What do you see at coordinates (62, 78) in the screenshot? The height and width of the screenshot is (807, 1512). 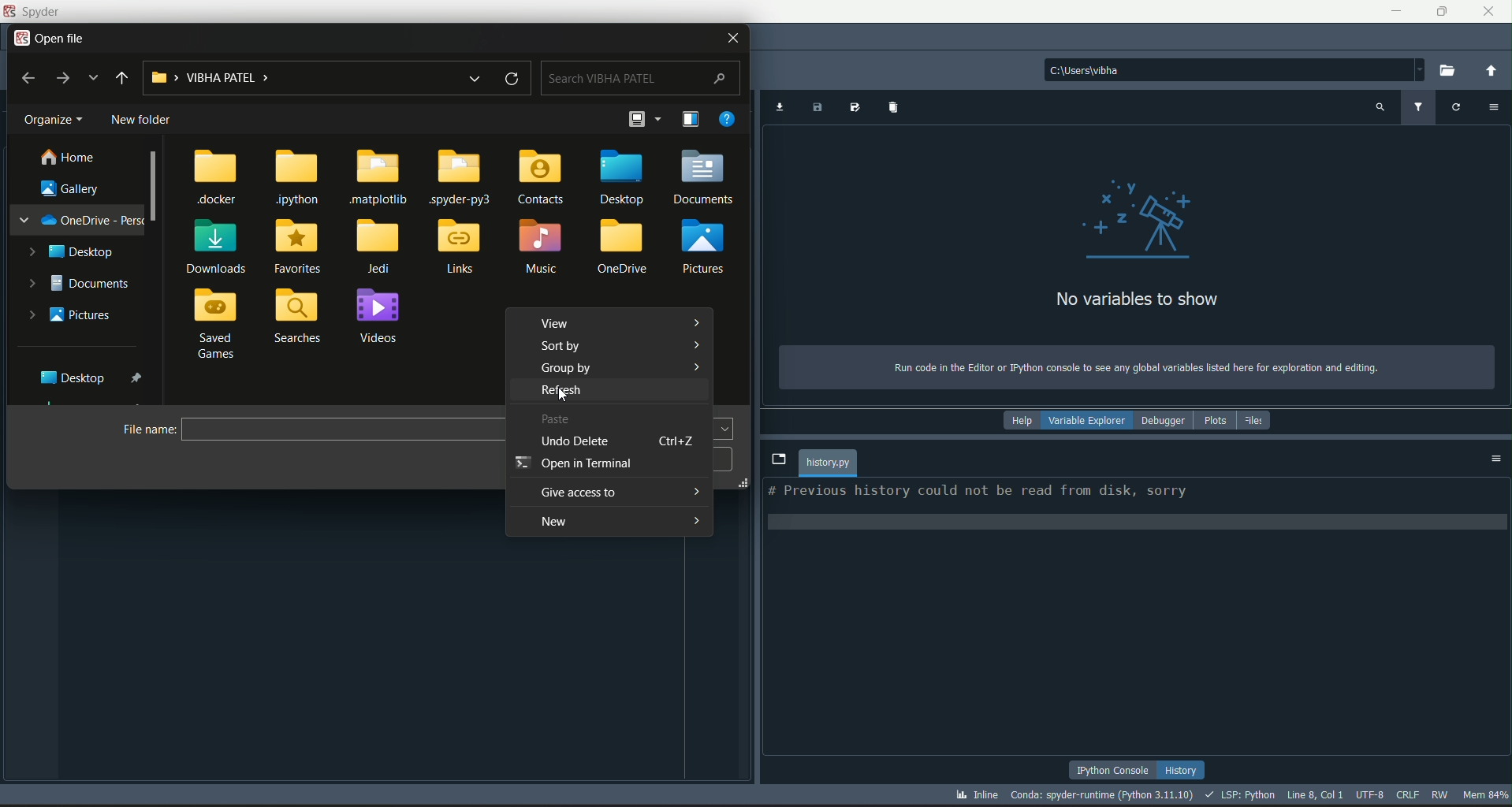 I see `forward` at bounding box center [62, 78].